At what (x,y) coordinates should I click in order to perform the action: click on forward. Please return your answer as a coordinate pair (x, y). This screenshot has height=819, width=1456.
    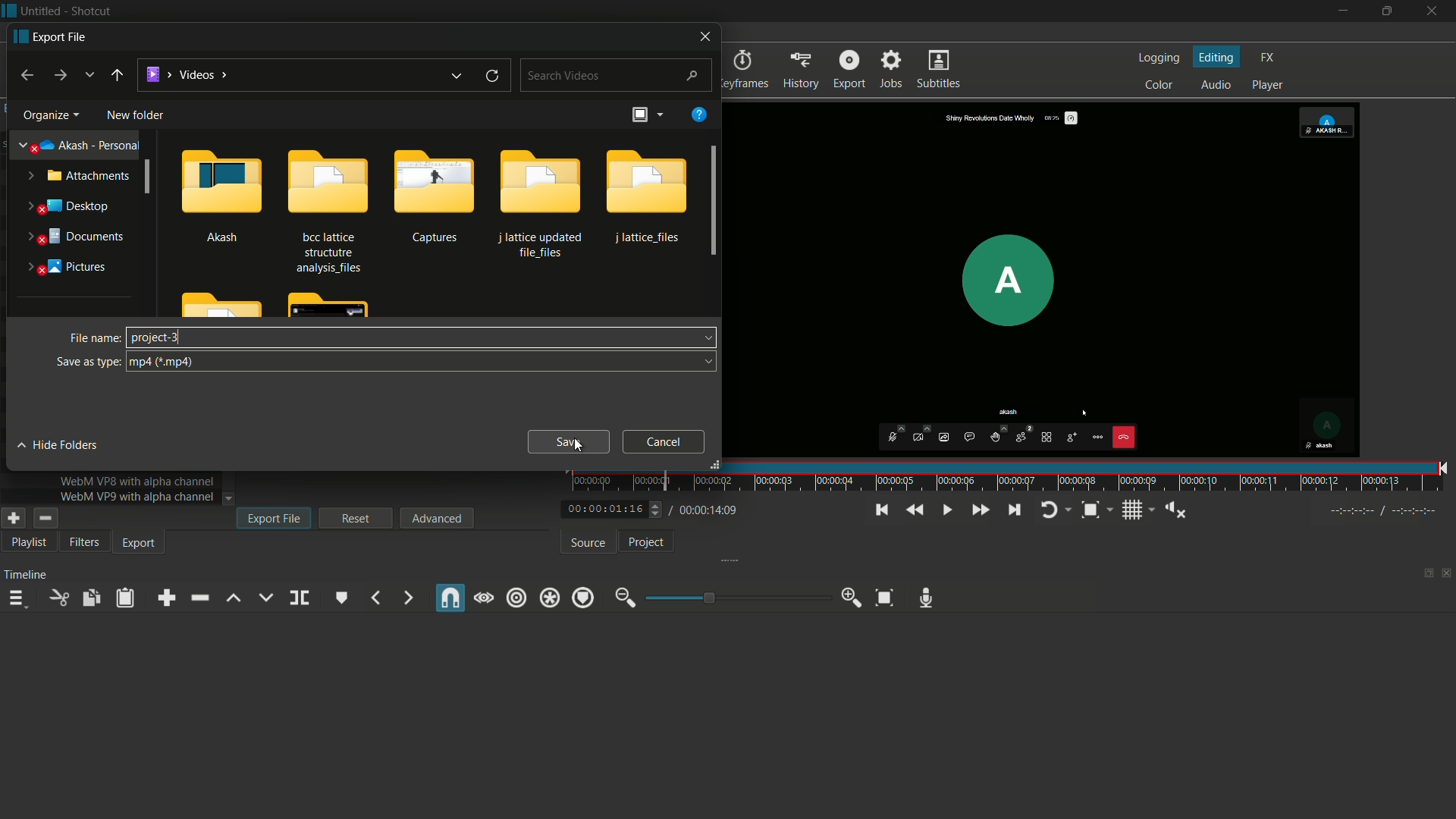
    Looking at the image, I should click on (58, 75).